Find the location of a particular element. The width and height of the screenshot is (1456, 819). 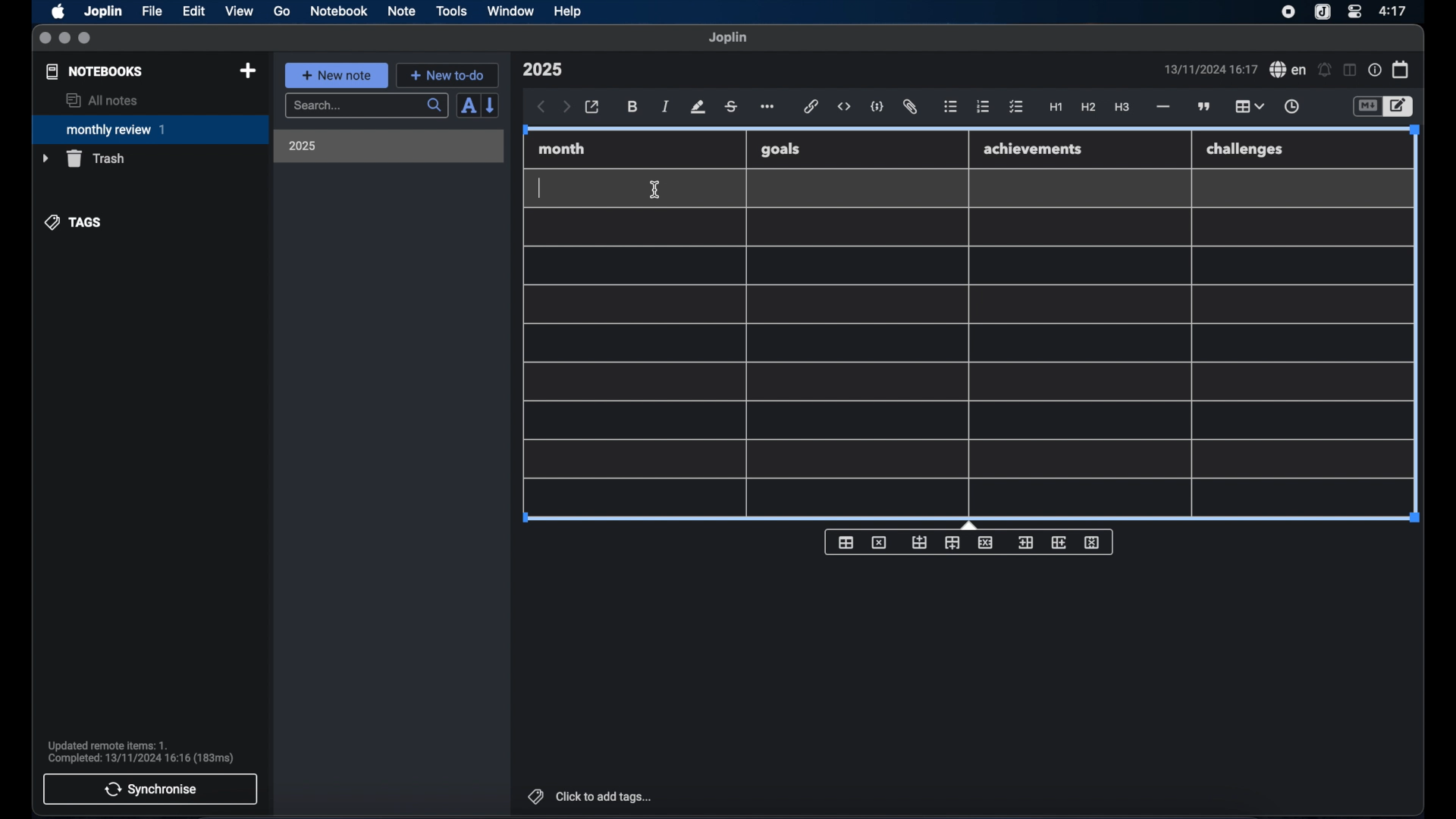

edit is located at coordinates (195, 11).